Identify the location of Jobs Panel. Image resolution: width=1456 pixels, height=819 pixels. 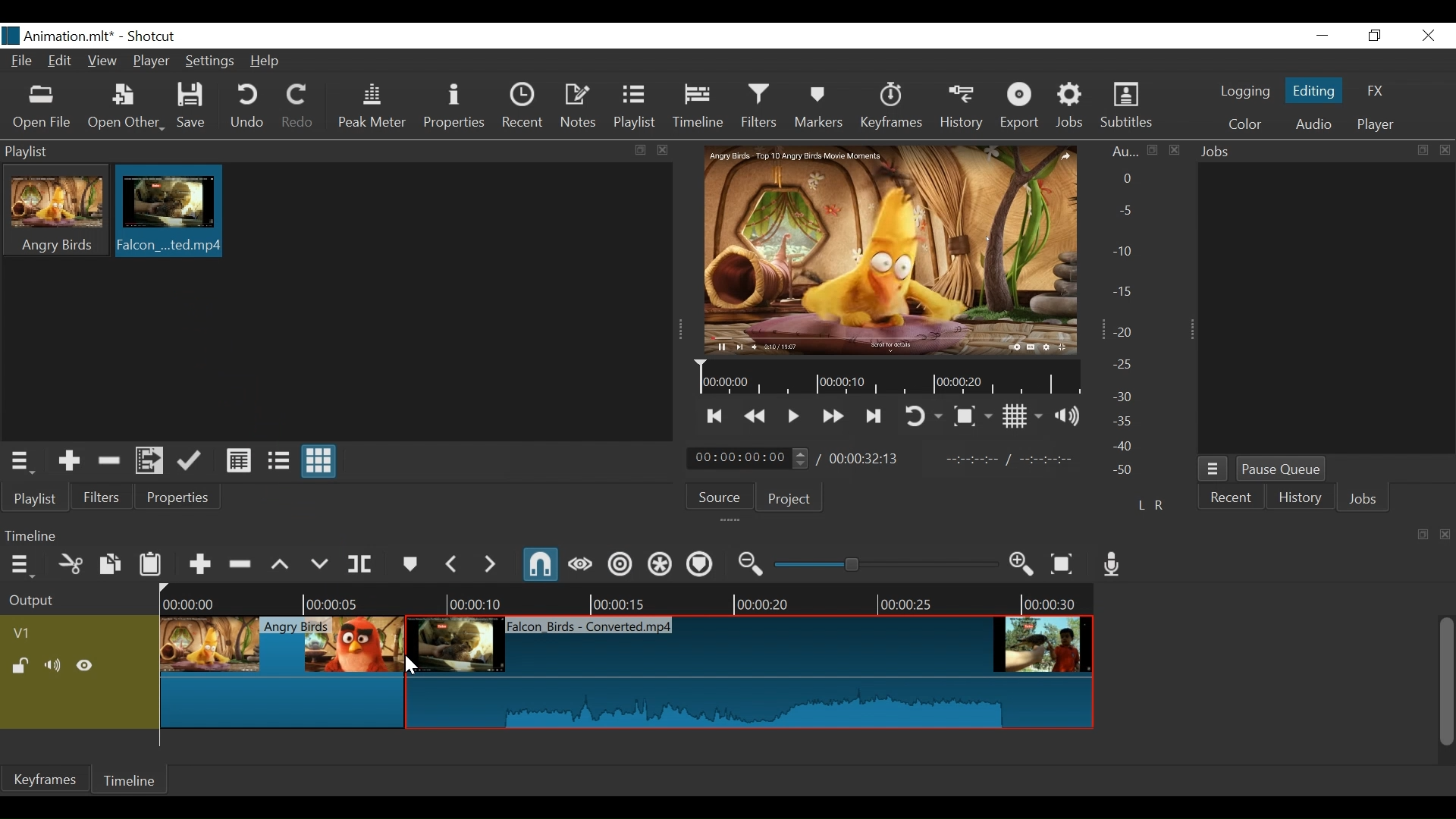
(1328, 311).